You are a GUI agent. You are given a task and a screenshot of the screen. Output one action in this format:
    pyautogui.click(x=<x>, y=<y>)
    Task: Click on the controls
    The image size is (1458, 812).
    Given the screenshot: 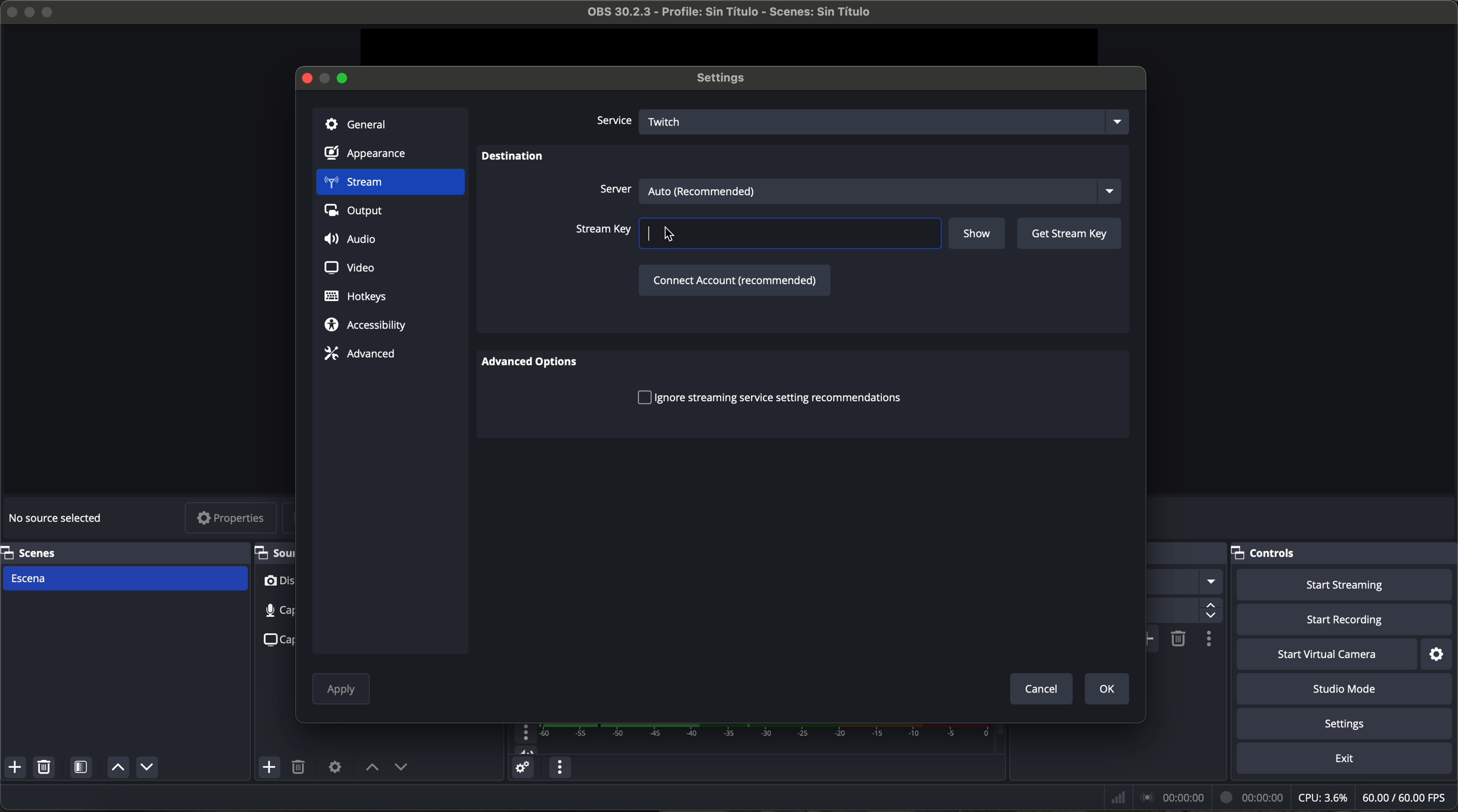 What is the action you would take?
    pyautogui.click(x=1344, y=553)
    